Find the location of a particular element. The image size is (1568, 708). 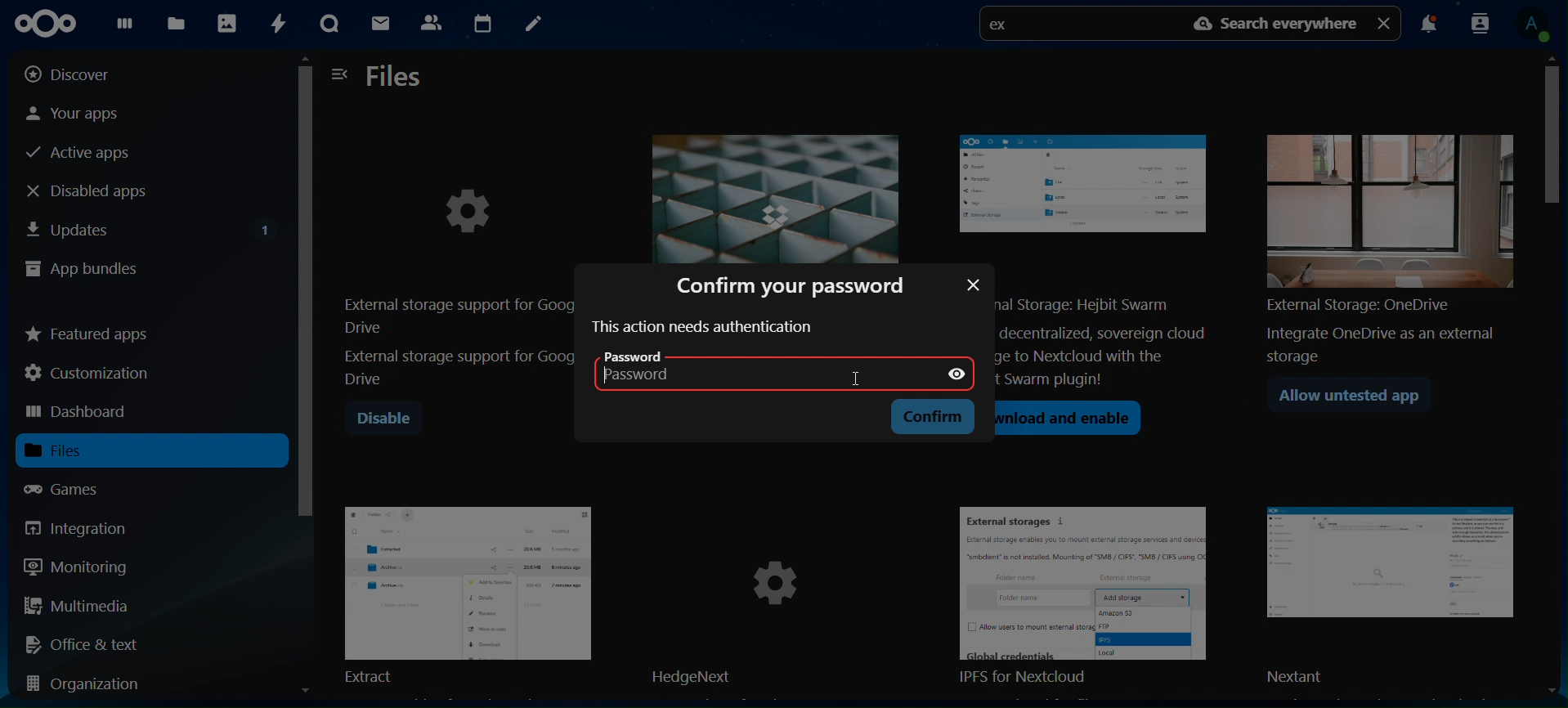

contacts is located at coordinates (431, 21).